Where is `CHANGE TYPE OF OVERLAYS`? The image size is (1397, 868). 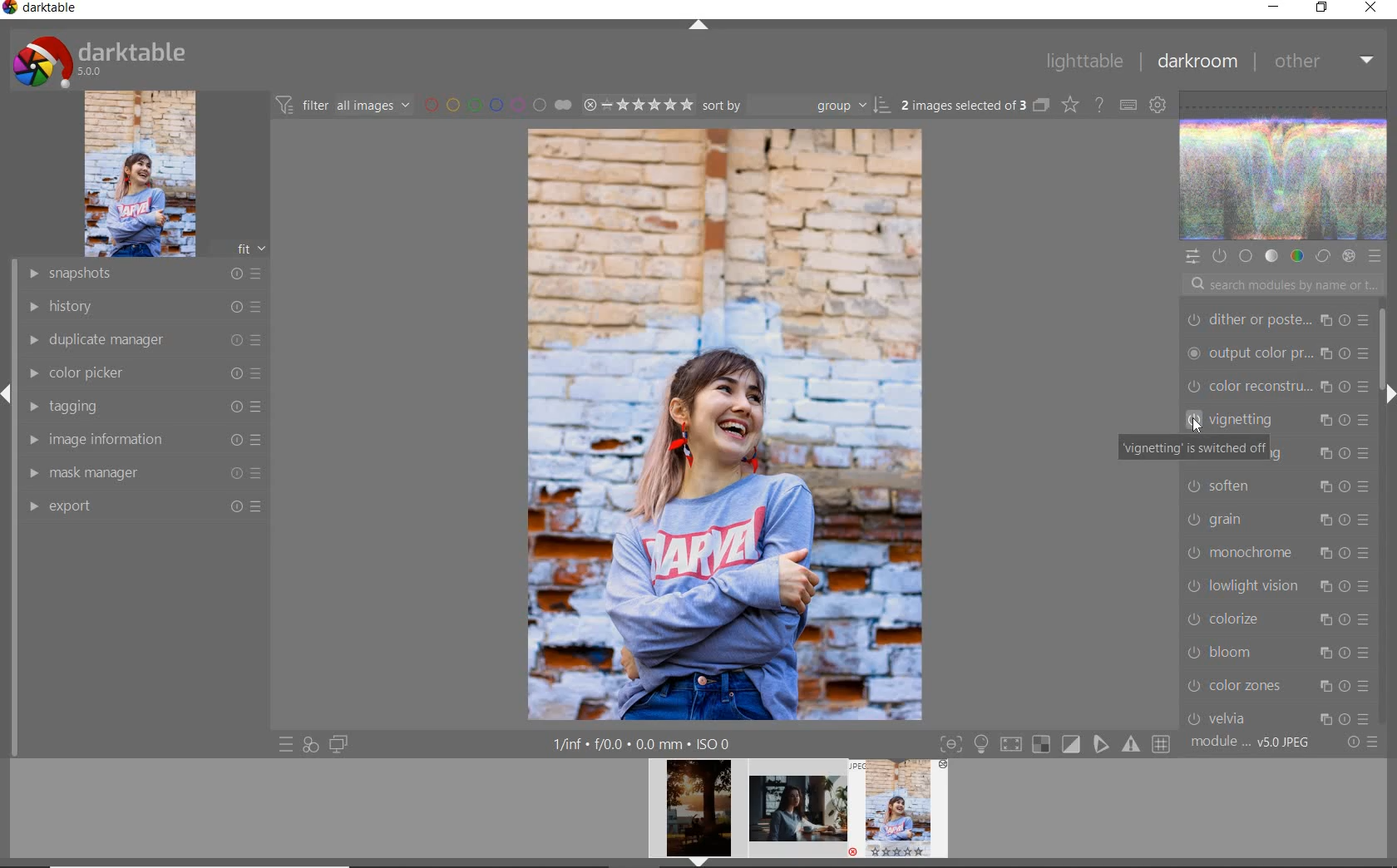
CHANGE TYPE OF OVERLAYS is located at coordinates (1069, 104).